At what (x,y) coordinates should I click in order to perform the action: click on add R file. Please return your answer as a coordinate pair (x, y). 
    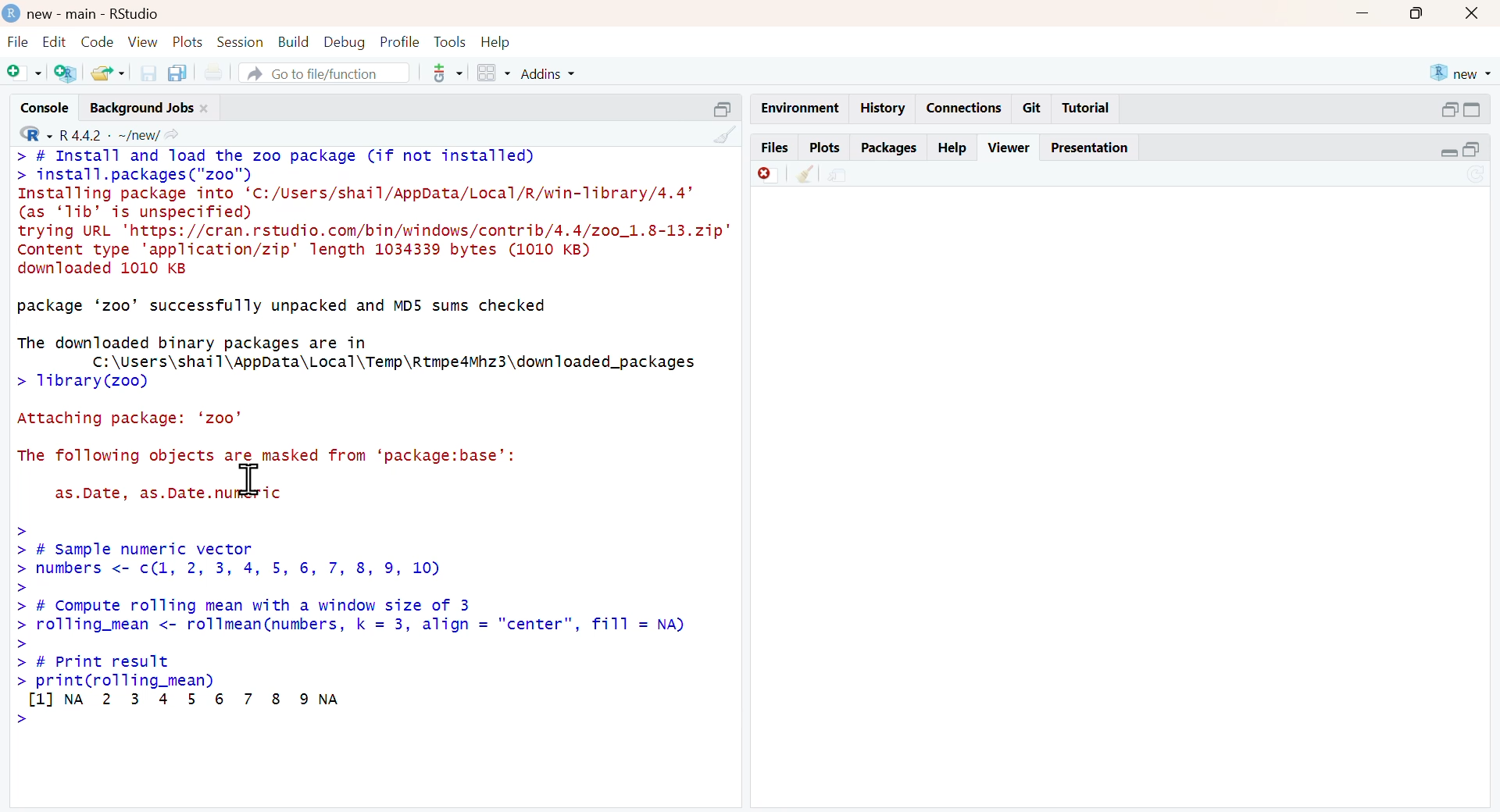
    Looking at the image, I should click on (67, 72).